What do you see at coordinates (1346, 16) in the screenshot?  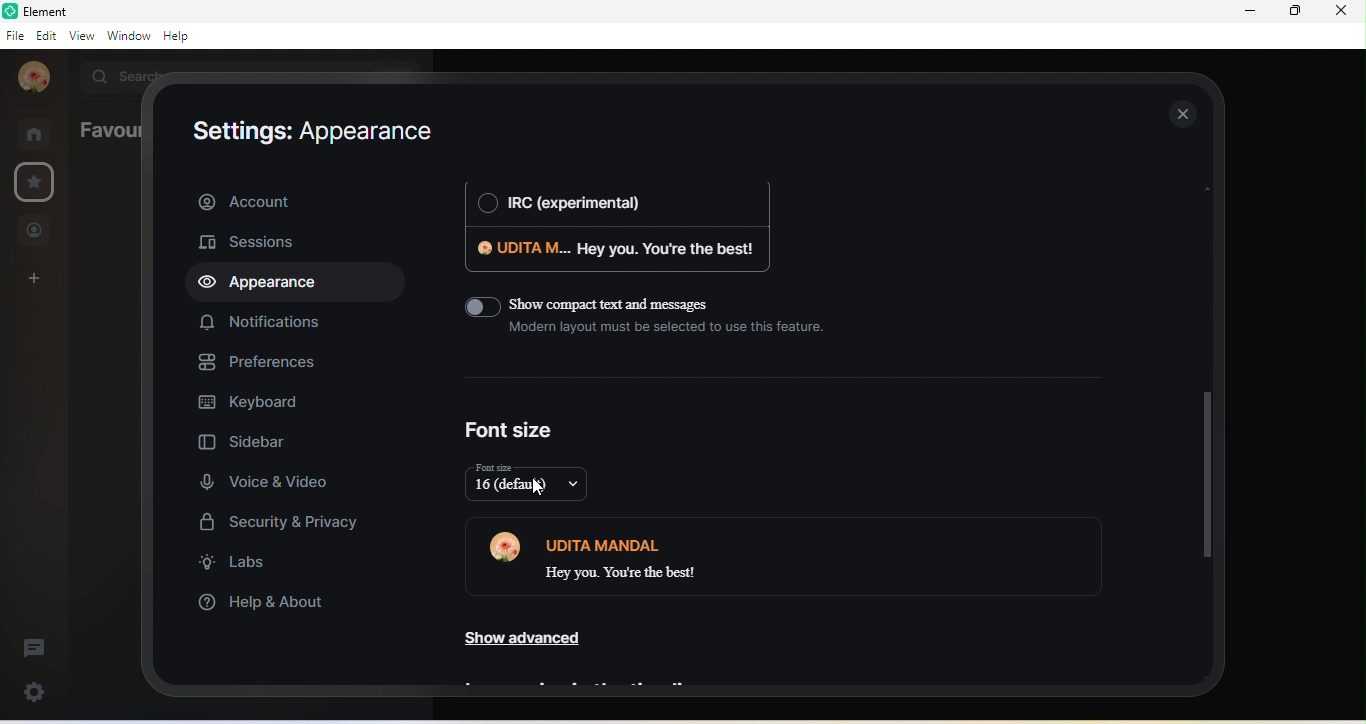 I see `close` at bounding box center [1346, 16].